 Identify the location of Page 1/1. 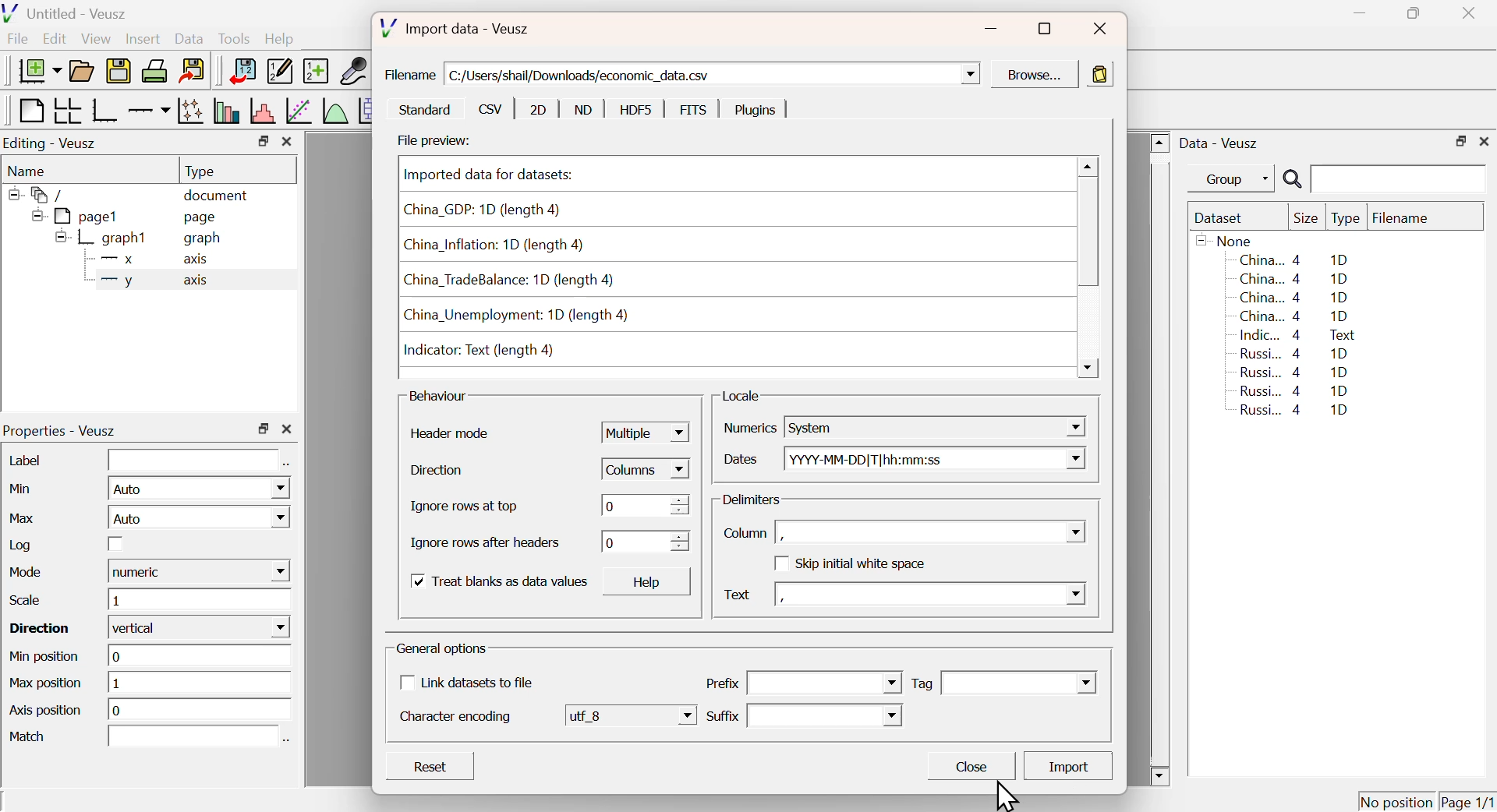
(1466, 801).